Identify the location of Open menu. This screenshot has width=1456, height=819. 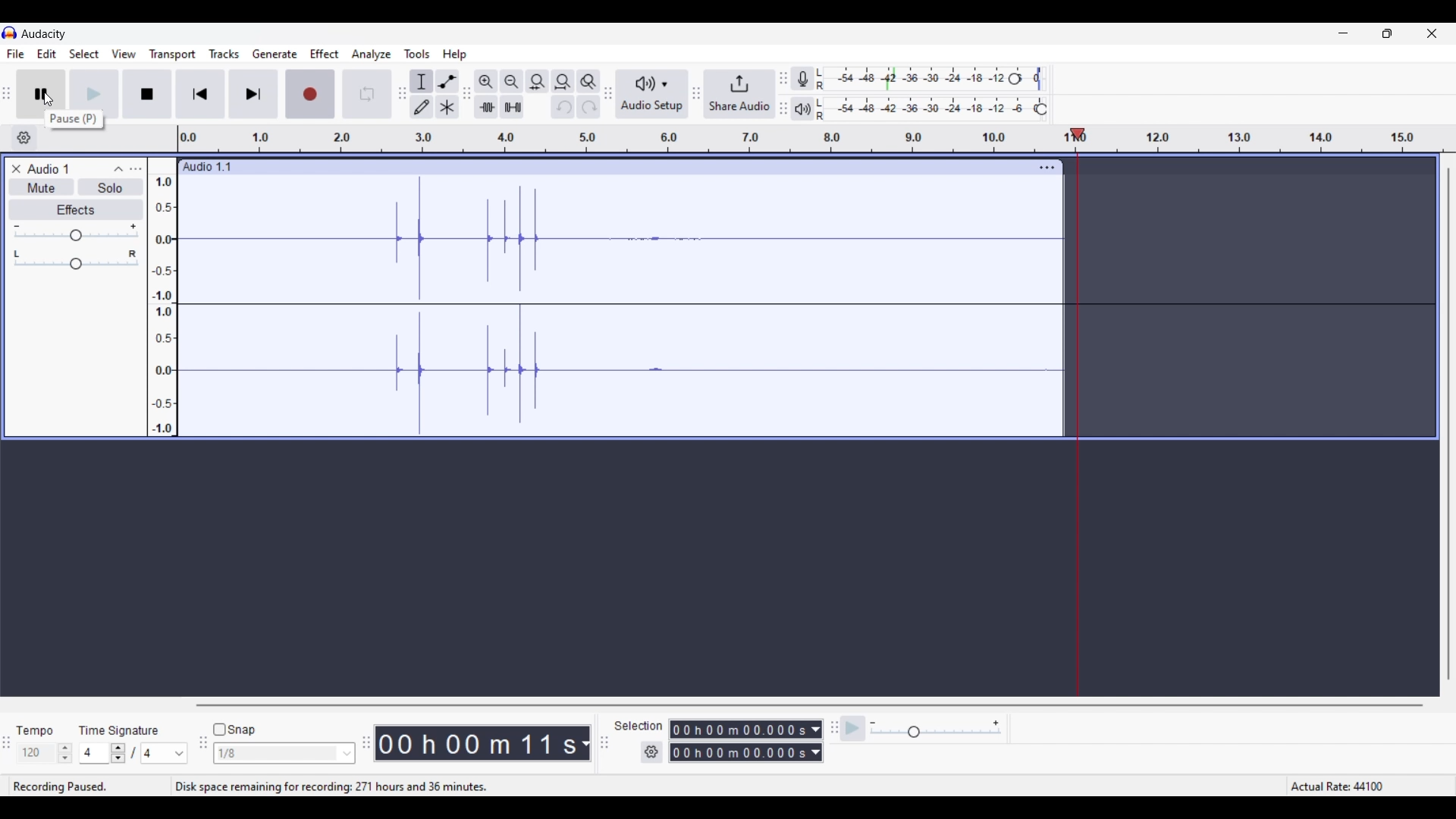
(135, 169).